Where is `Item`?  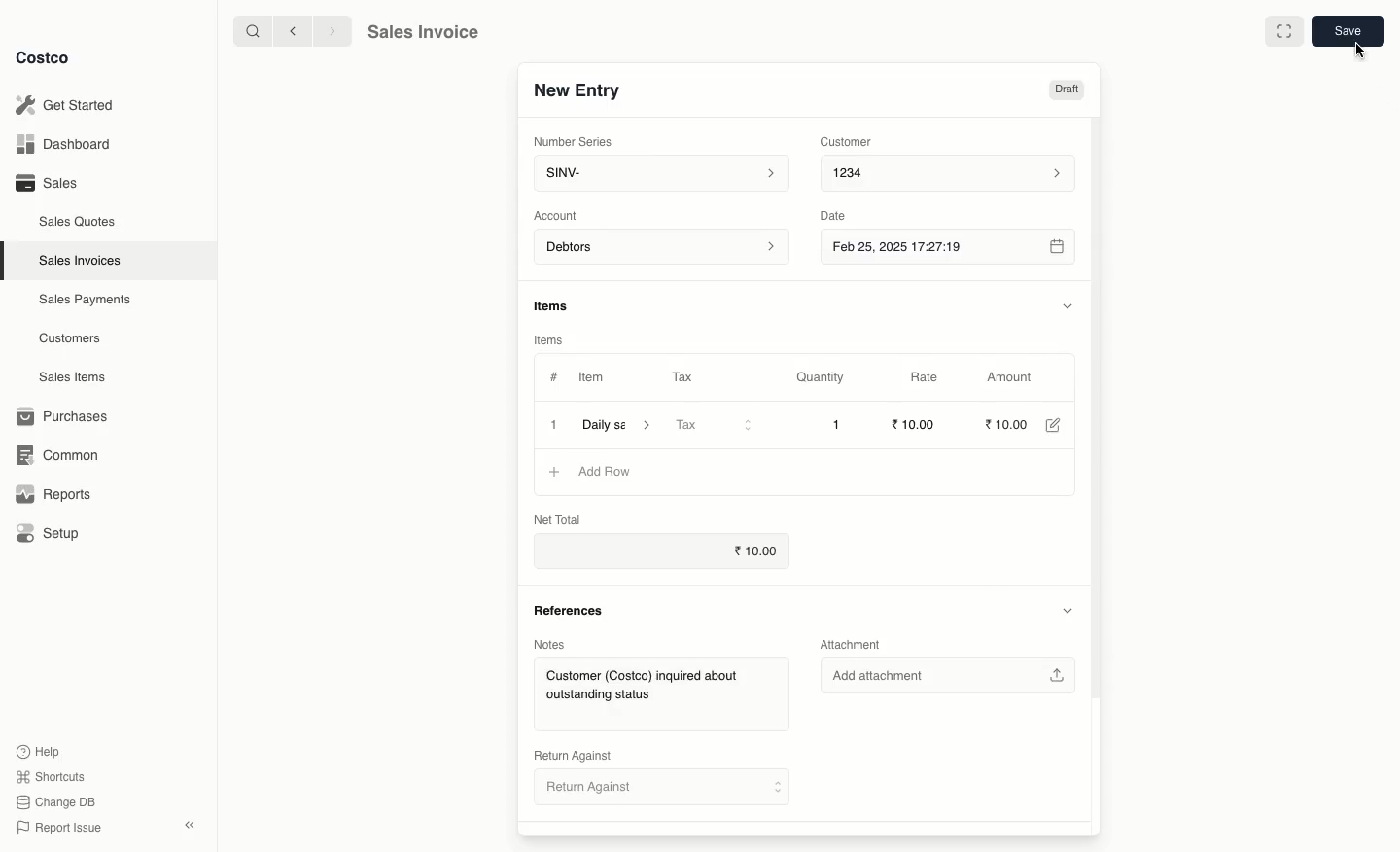 Item is located at coordinates (594, 377).